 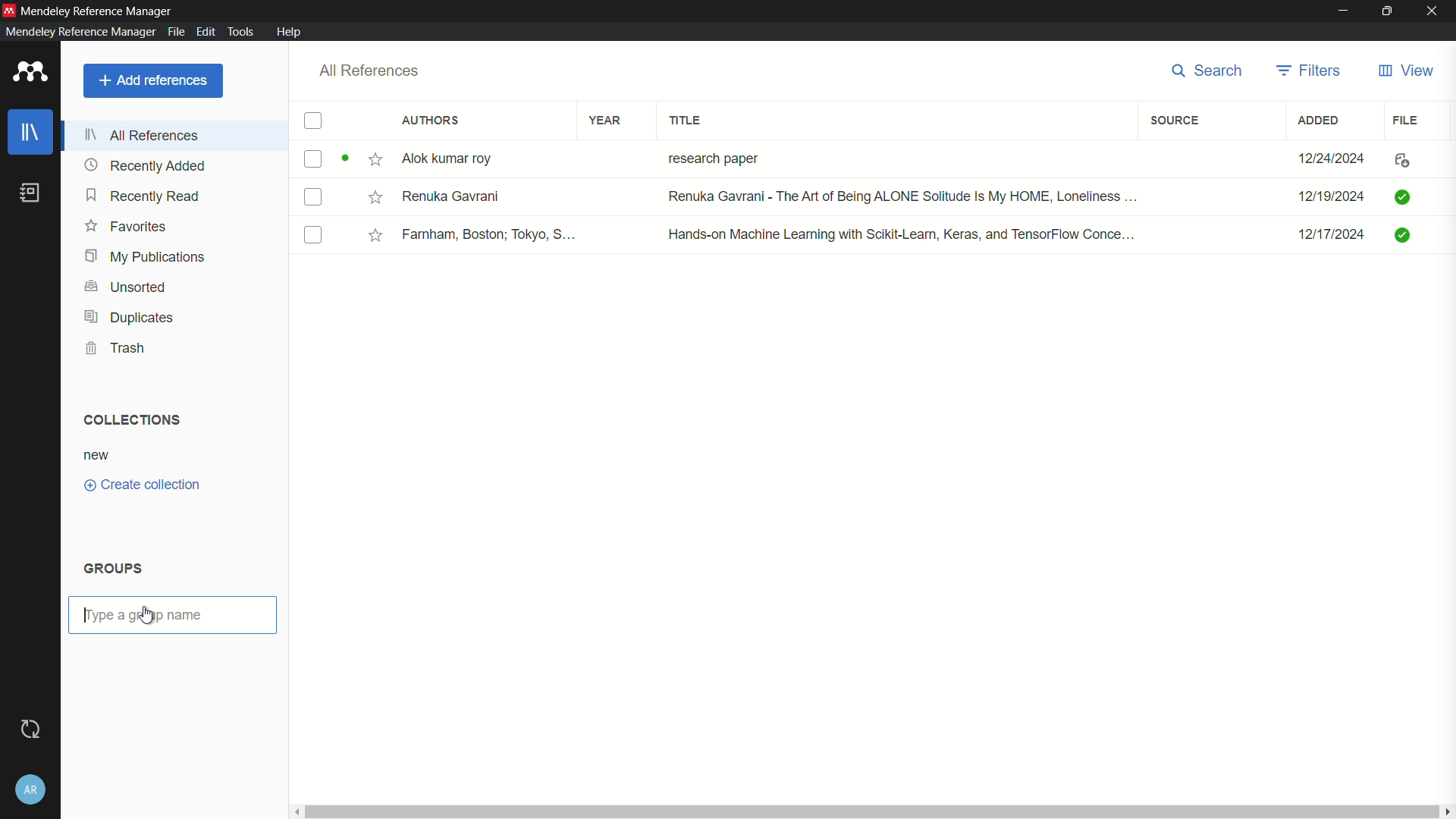 I want to click on Star, so click(x=374, y=196).